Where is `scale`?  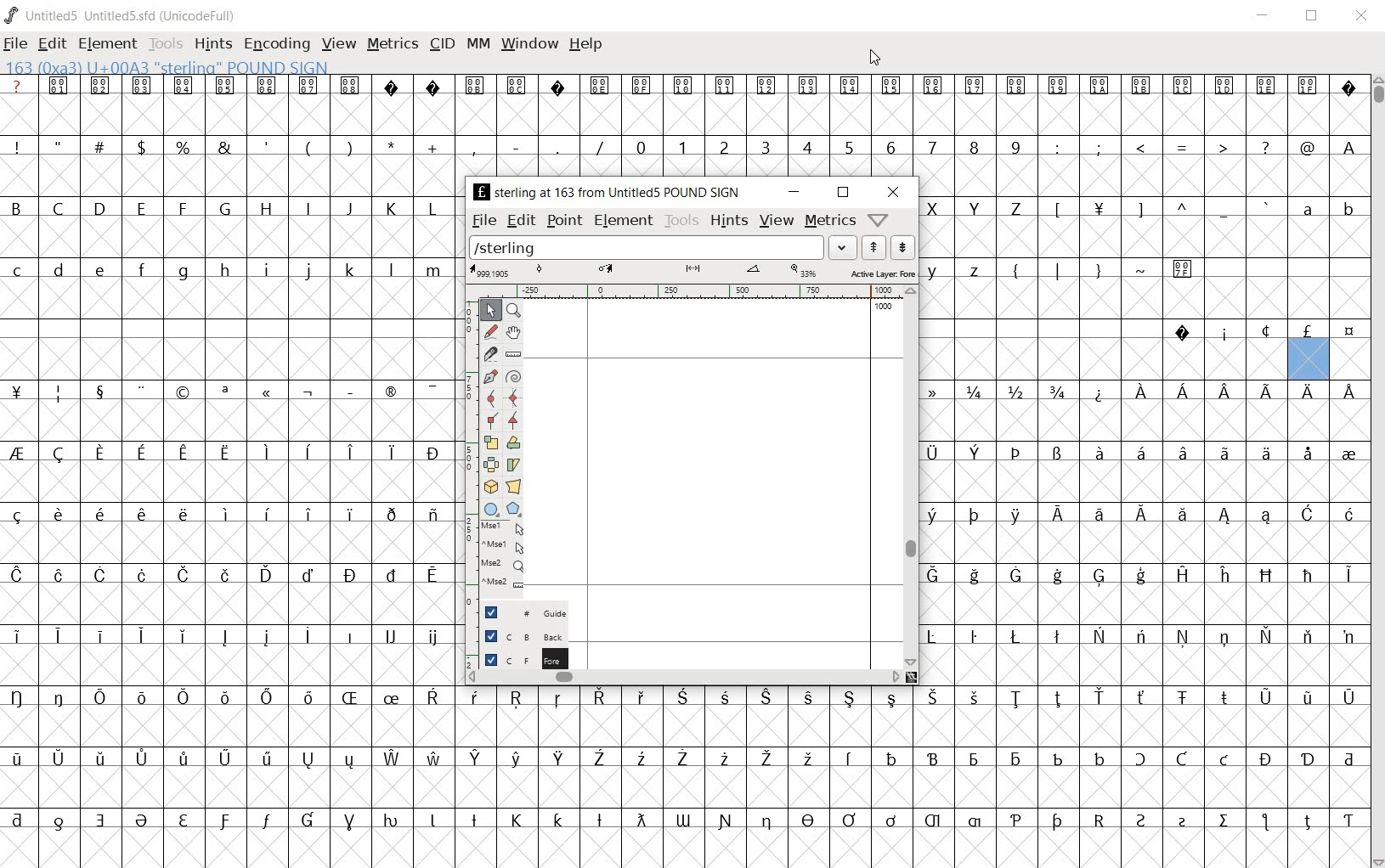
scale is located at coordinates (466, 447).